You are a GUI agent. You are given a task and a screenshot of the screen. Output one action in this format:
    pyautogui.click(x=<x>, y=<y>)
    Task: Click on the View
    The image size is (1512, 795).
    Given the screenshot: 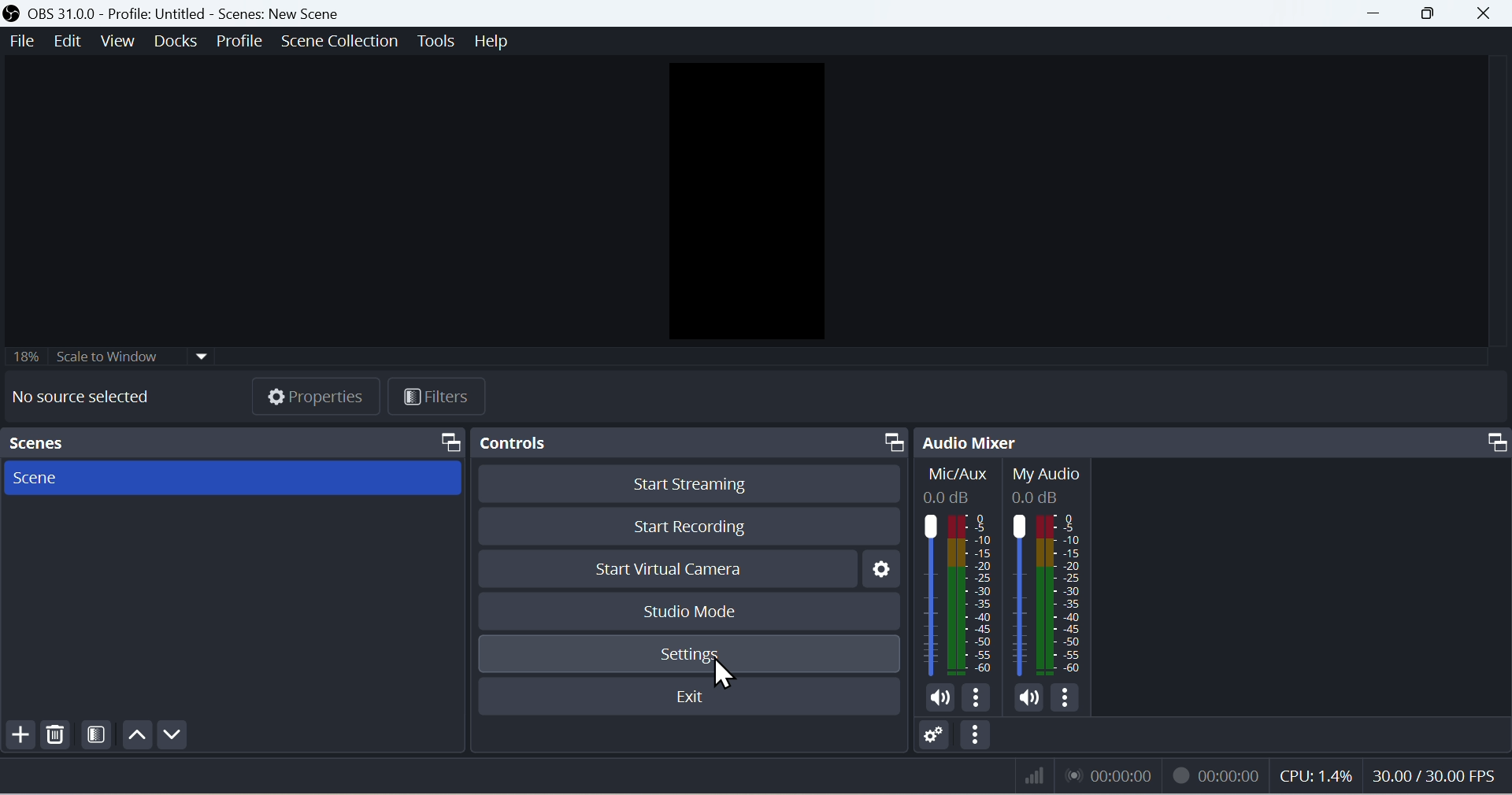 What is the action you would take?
    pyautogui.click(x=117, y=42)
    